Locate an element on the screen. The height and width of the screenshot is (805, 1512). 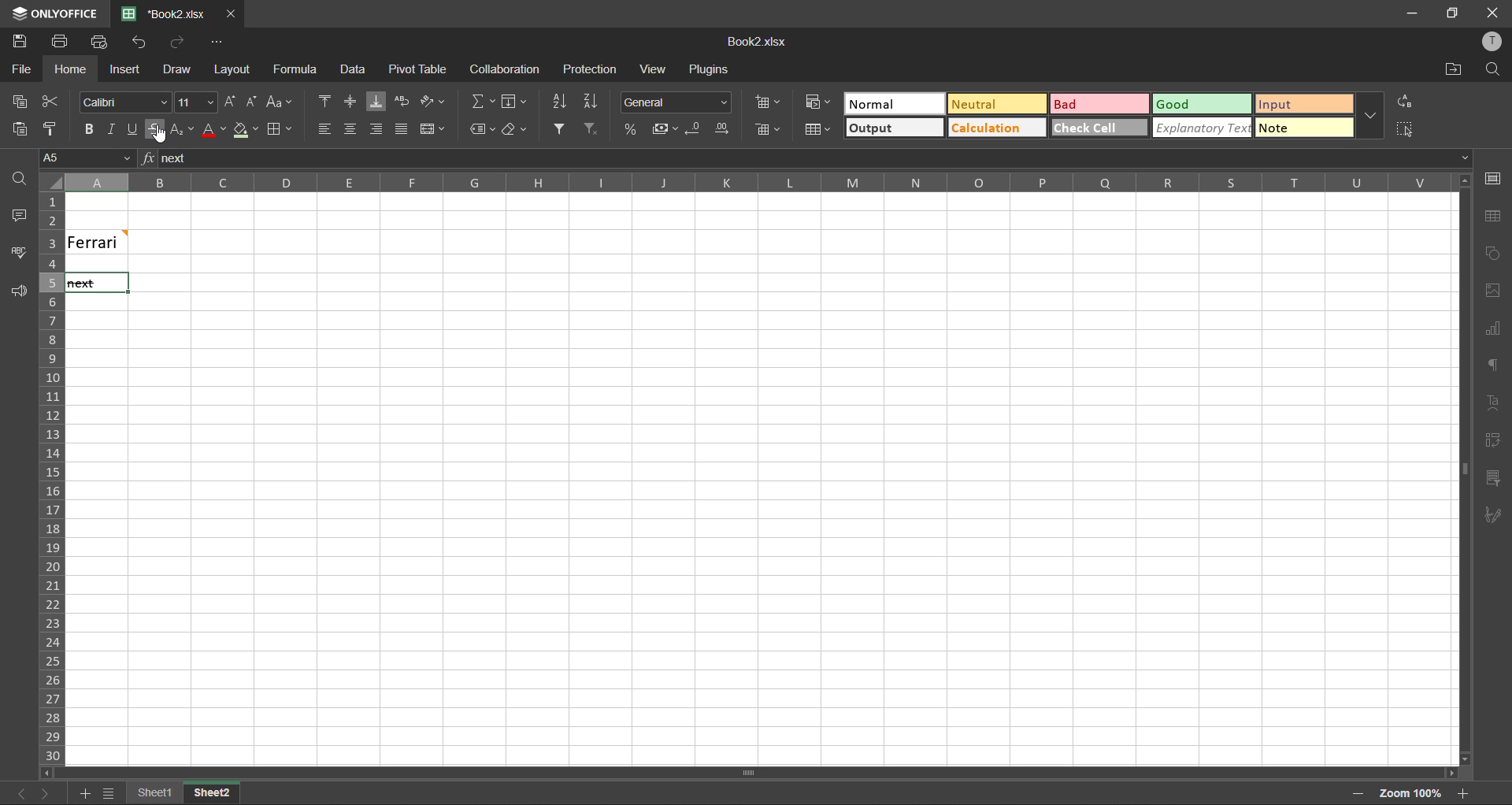
summation is located at coordinates (482, 101).